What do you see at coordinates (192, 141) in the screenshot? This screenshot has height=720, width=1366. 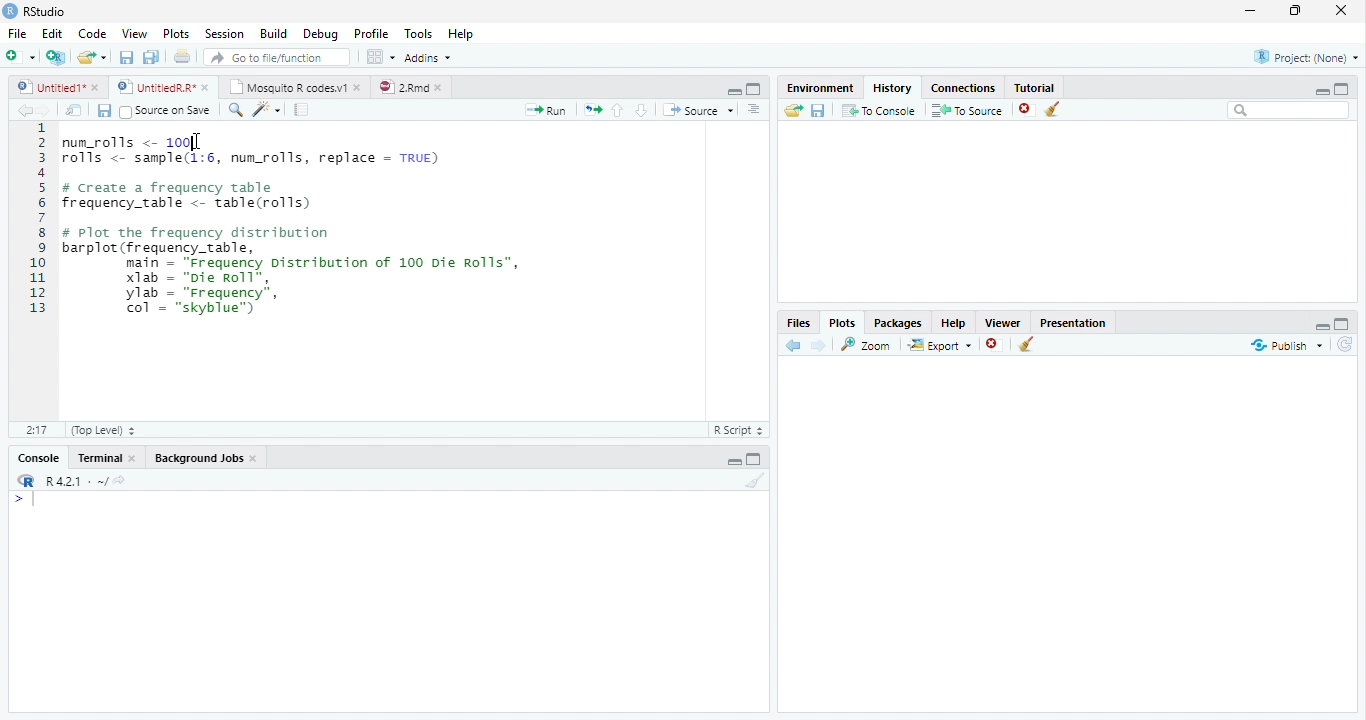 I see `Mouse Cursor` at bounding box center [192, 141].